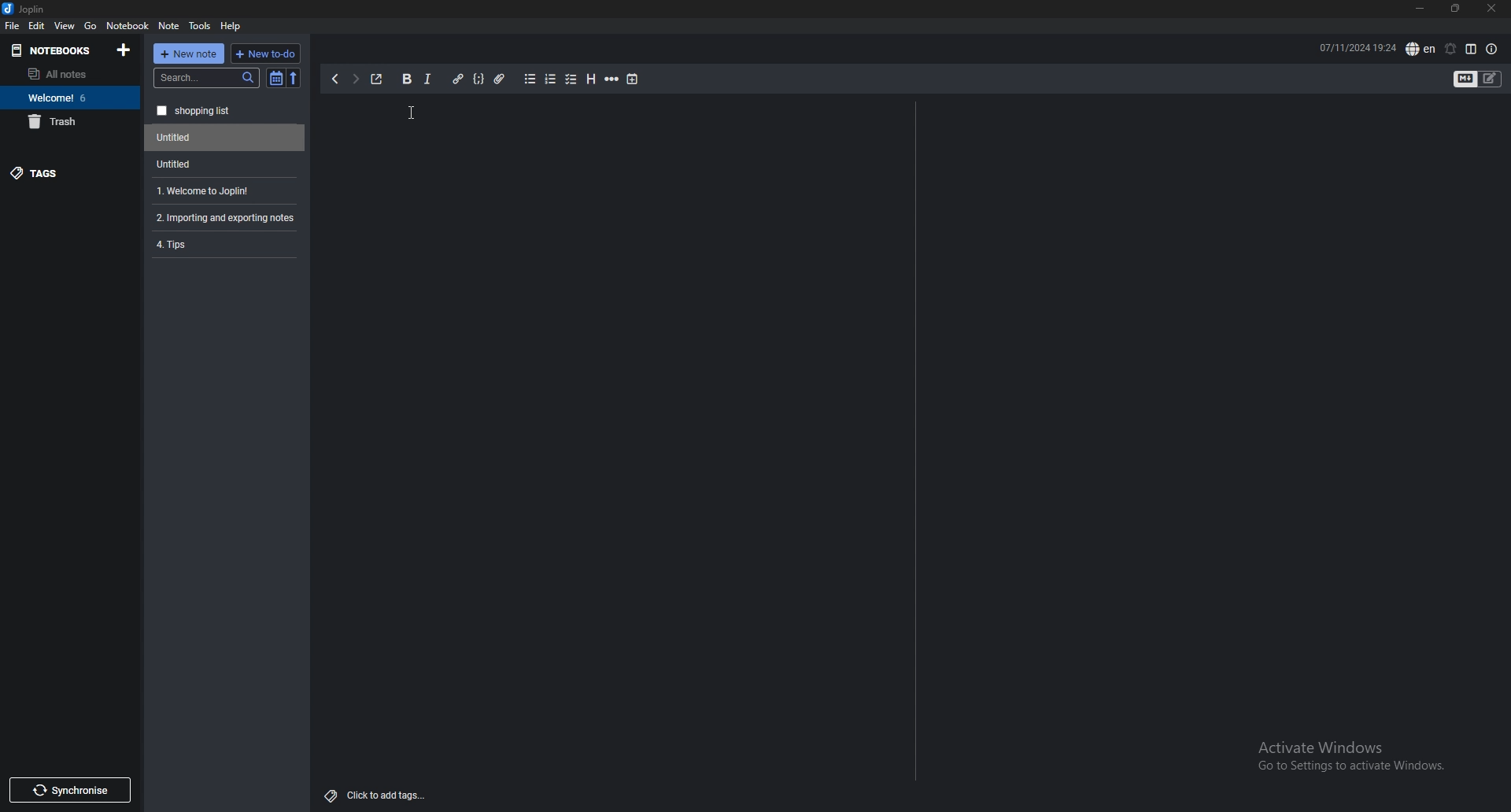 The image size is (1511, 812). What do you see at coordinates (189, 54) in the screenshot?
I see `new note` at bounding box center [189, 54].